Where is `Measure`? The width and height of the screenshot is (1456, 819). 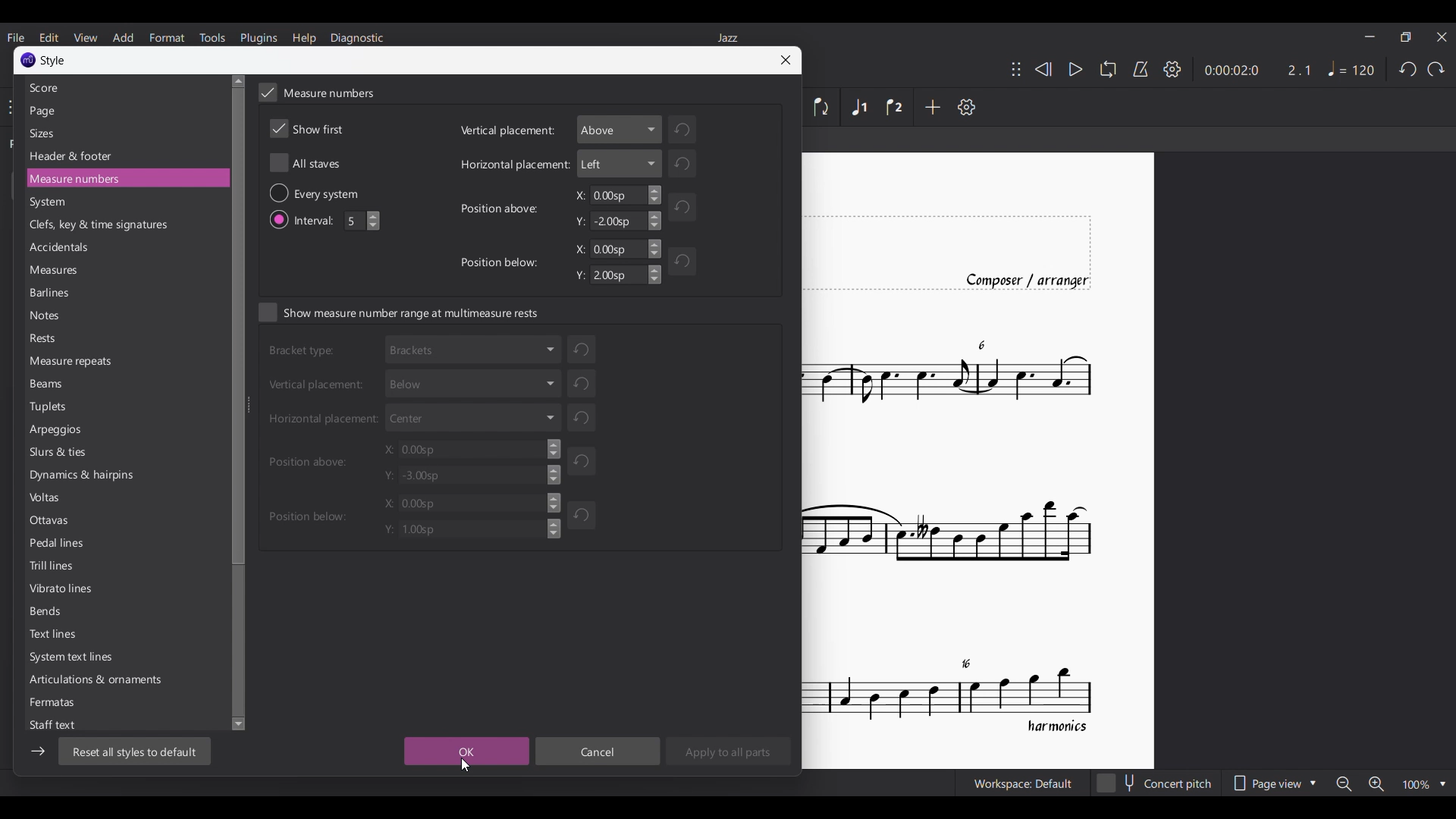
Measure is located at coordinates (58, 271).